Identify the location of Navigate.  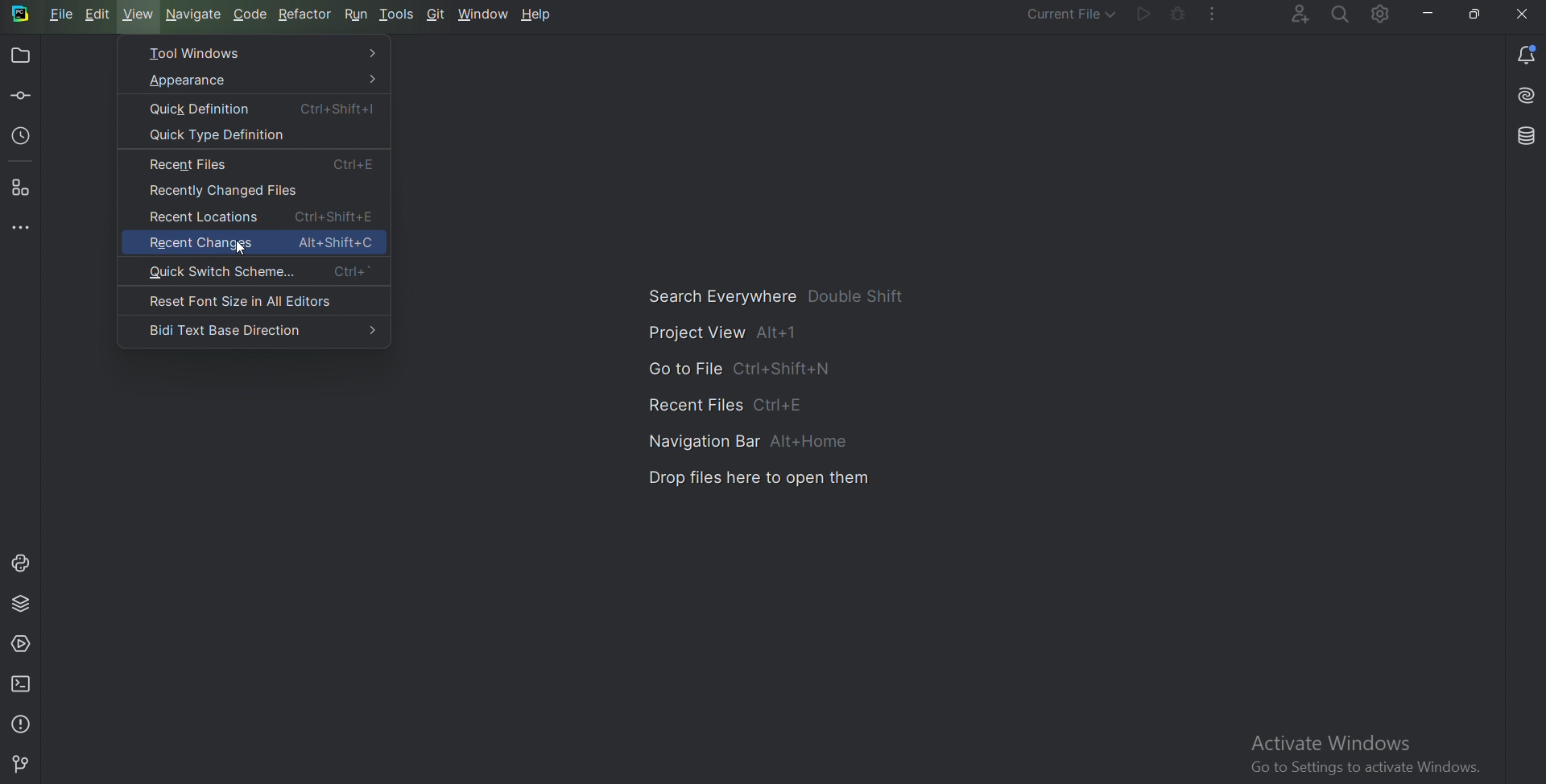
(194, 15).